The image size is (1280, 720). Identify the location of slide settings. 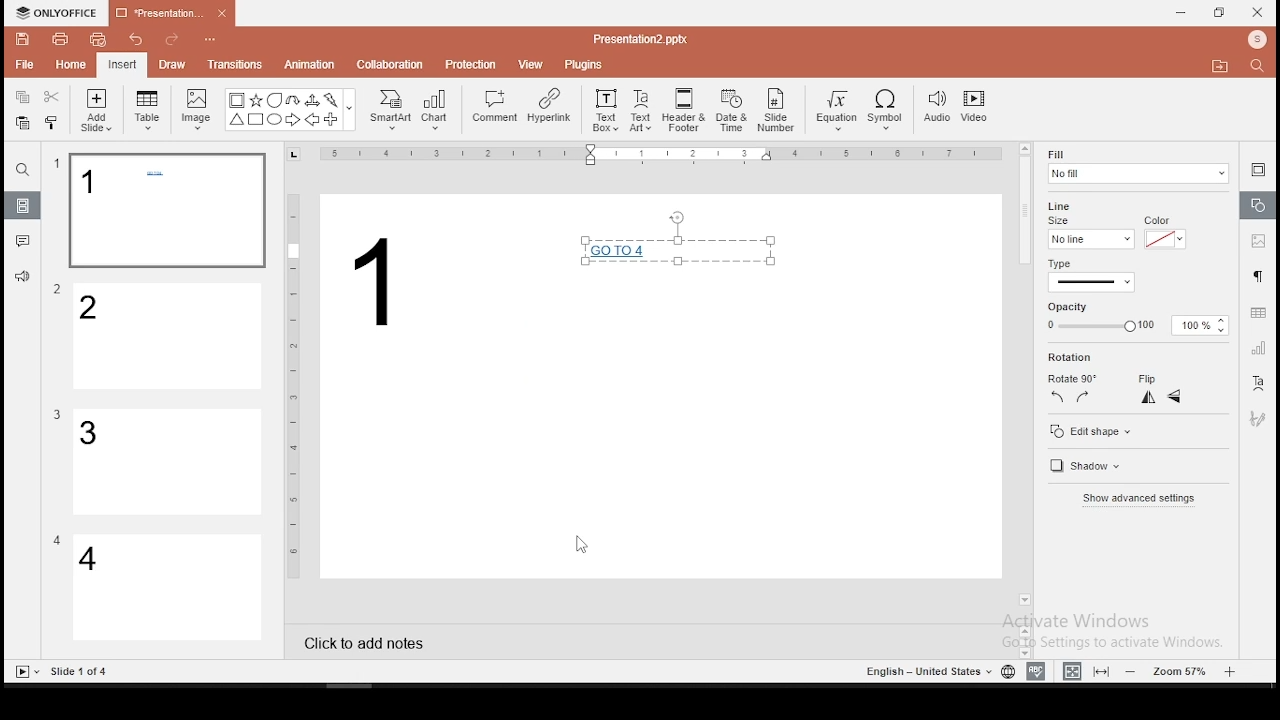
(1258, 169).